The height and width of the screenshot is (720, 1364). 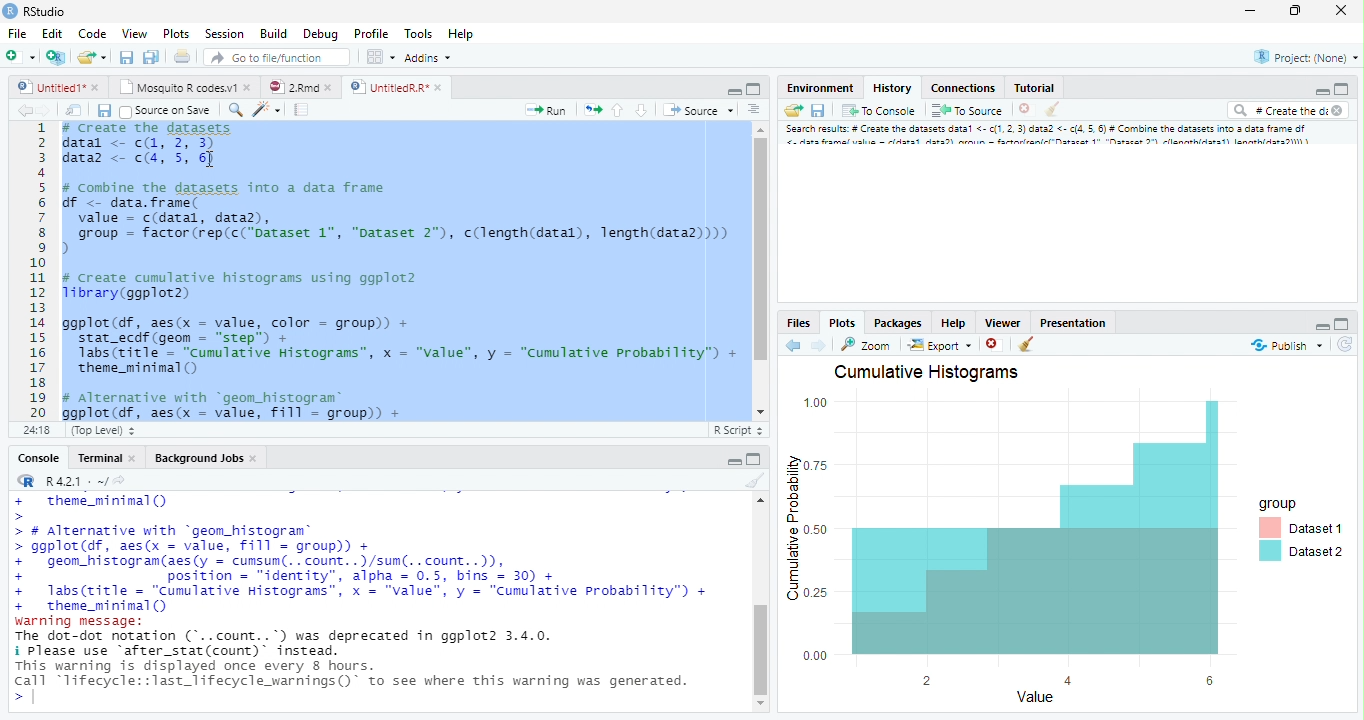 What do you see at coordinates (34, 10) in the screenshot?
I see `Rstudio` at bounding box center [34, 10].